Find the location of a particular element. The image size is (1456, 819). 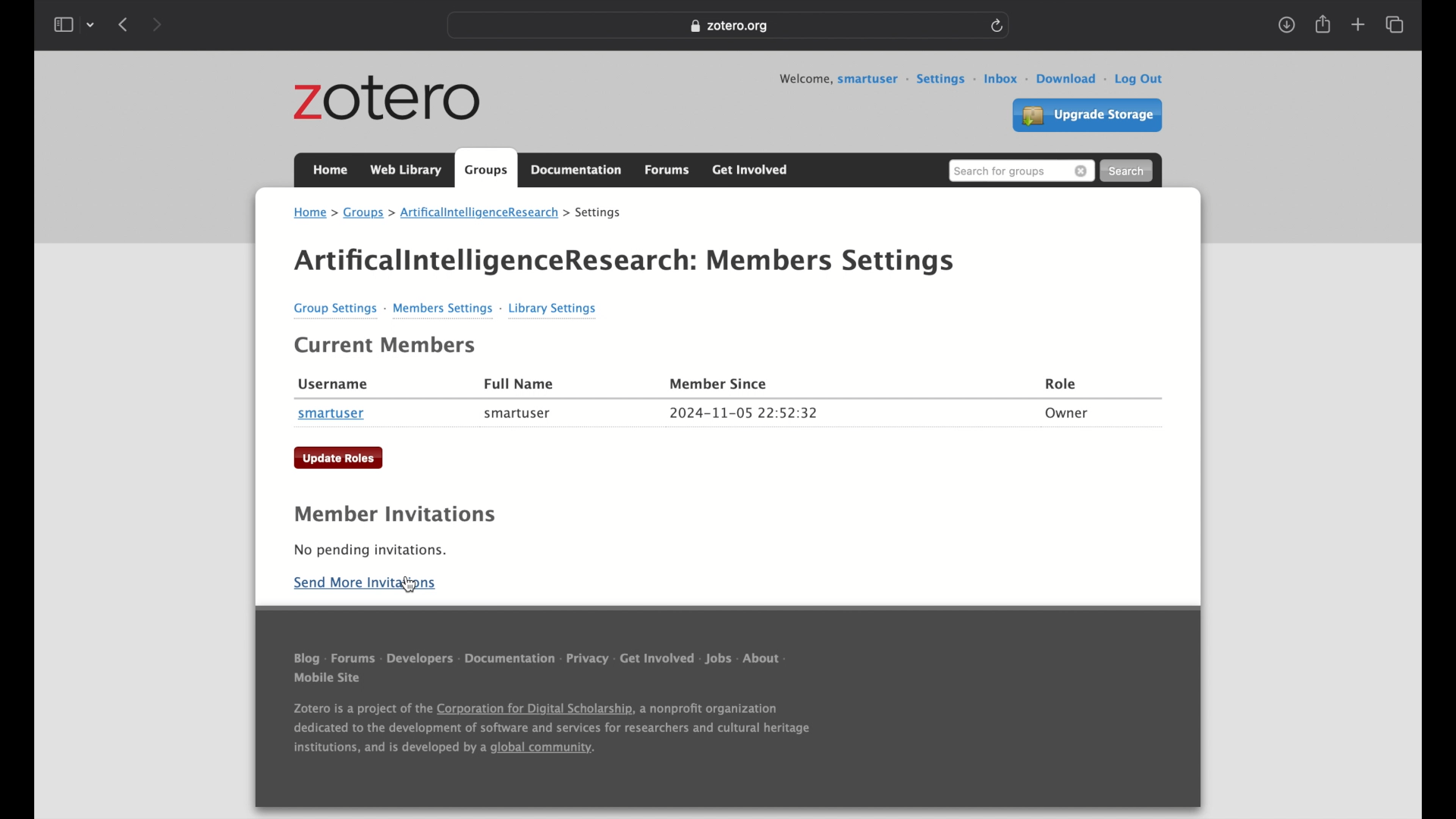

log out is located at coordinates (1141, 80).